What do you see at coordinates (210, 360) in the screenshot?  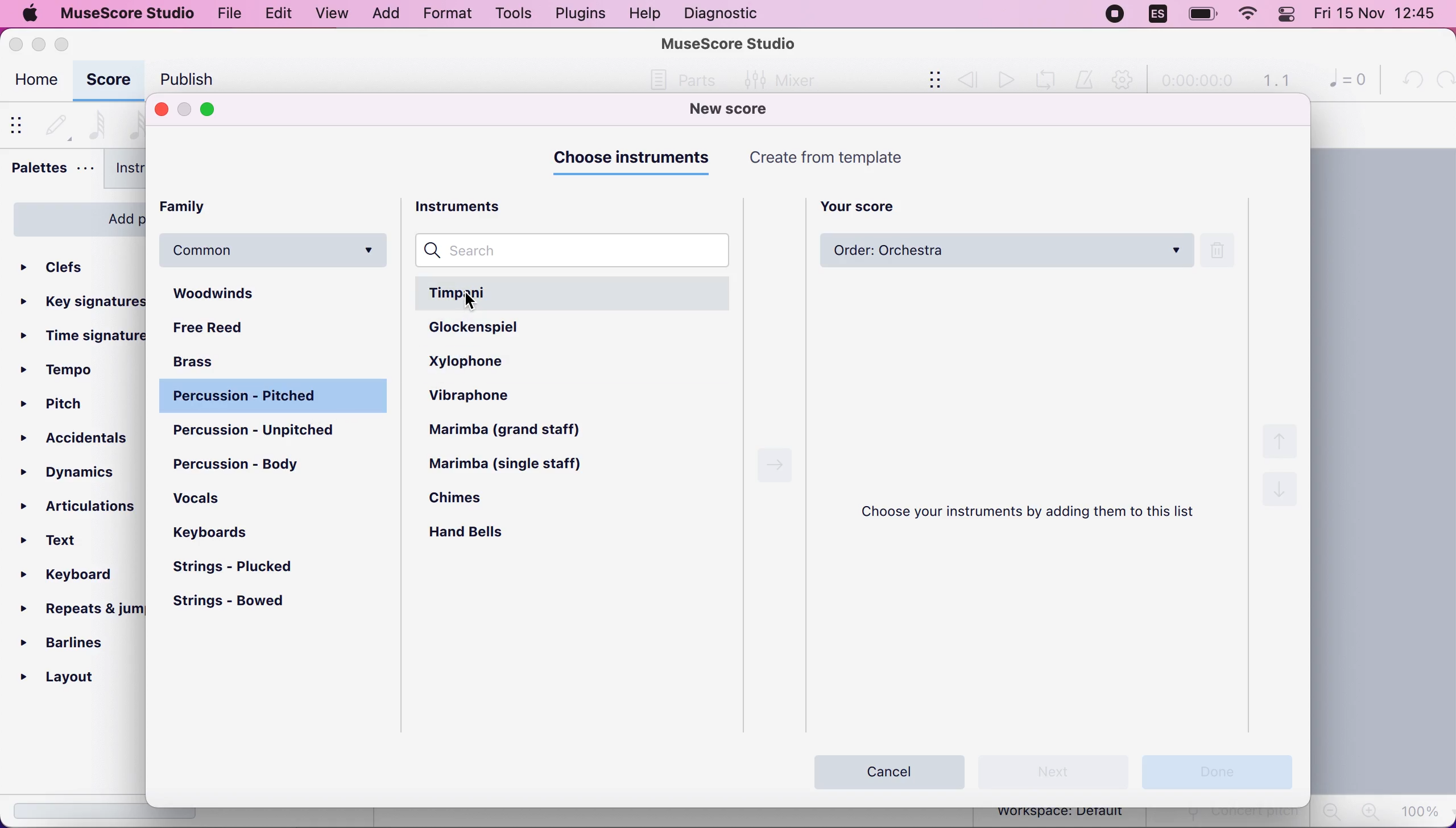 I see `brass` at bounding box center [210, 360].